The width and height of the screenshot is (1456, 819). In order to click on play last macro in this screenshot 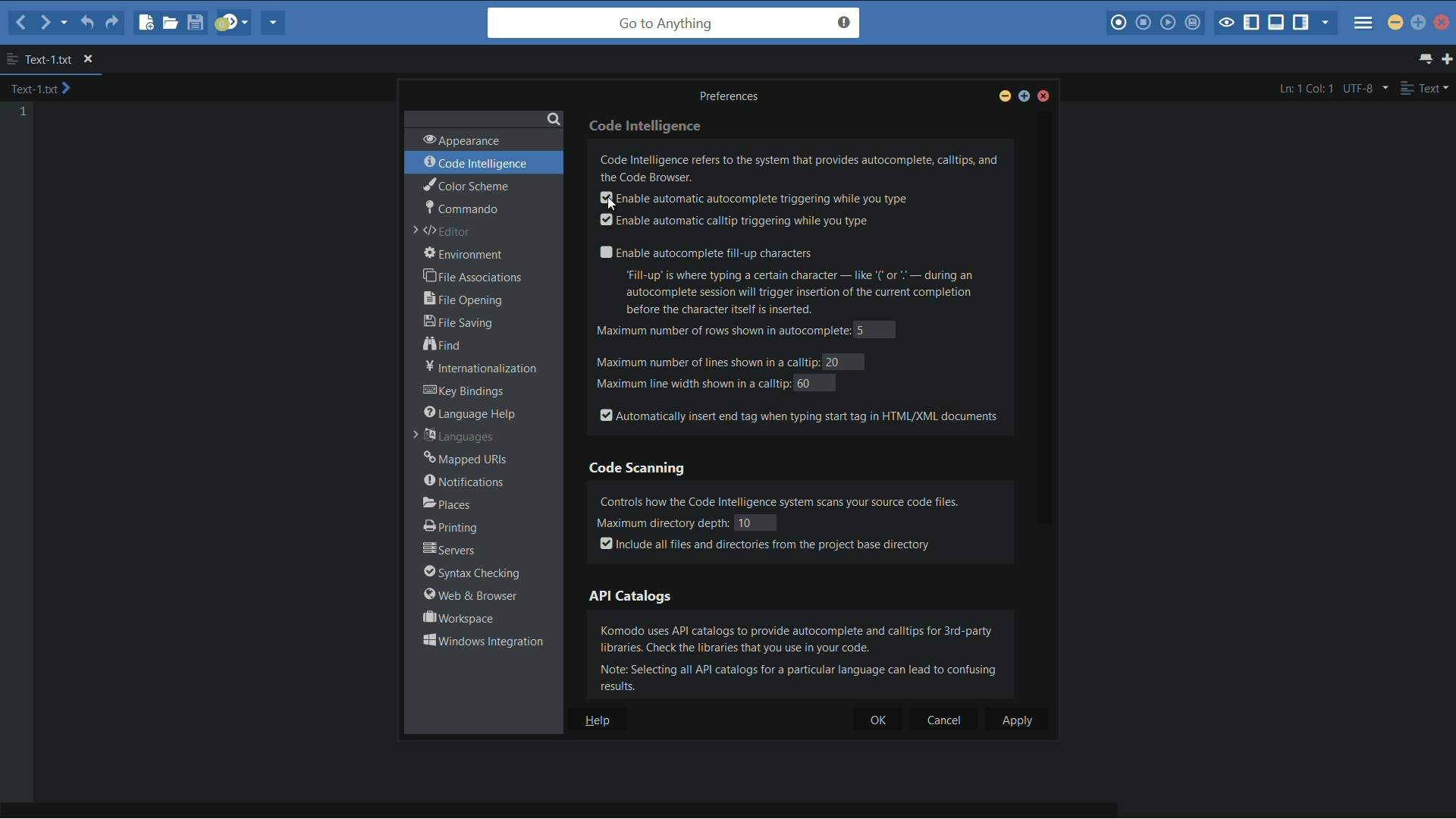, I will do `click(1167, 23)`.